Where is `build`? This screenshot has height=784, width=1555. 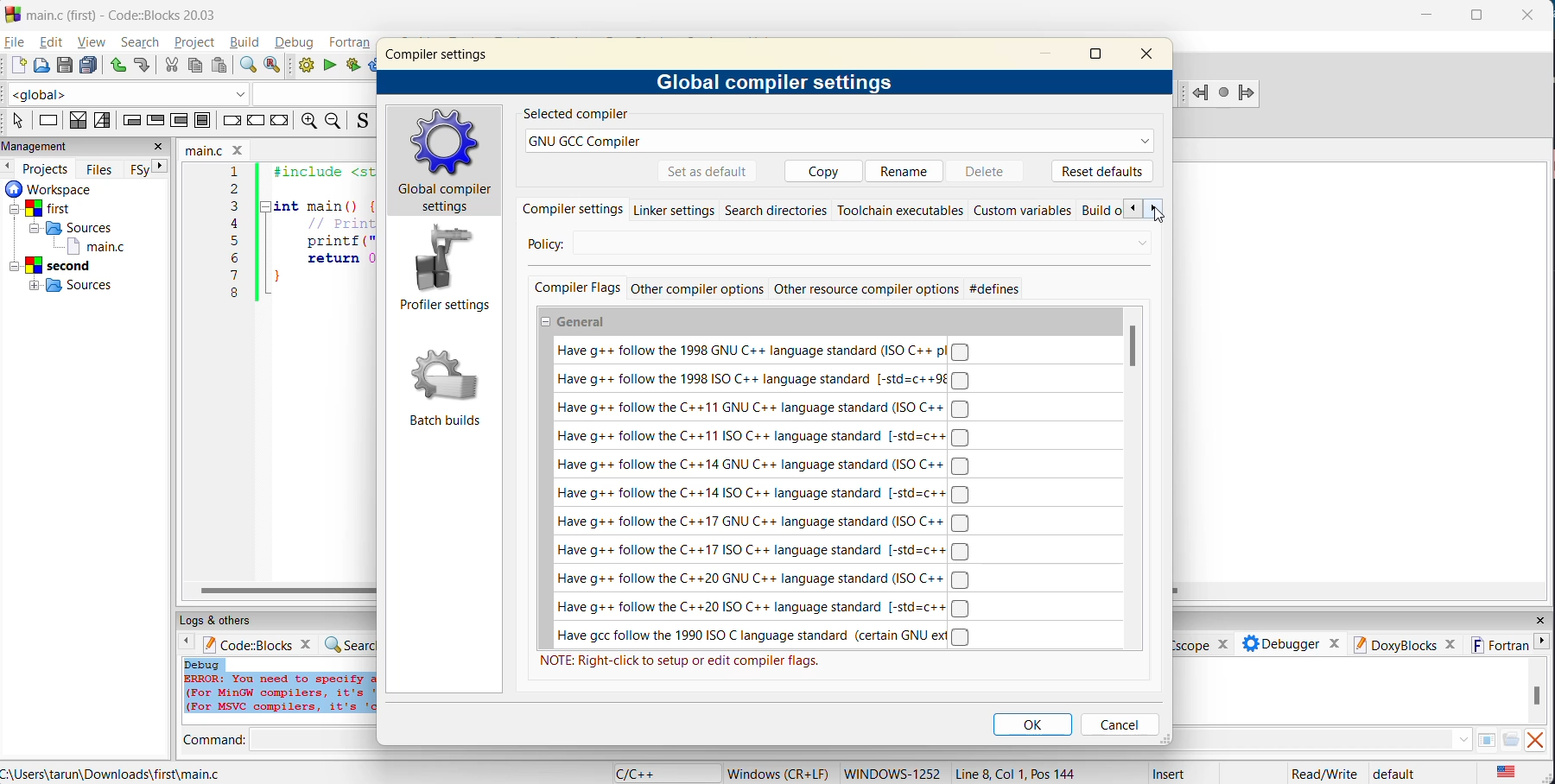
build is located at coordinates (305, 66).